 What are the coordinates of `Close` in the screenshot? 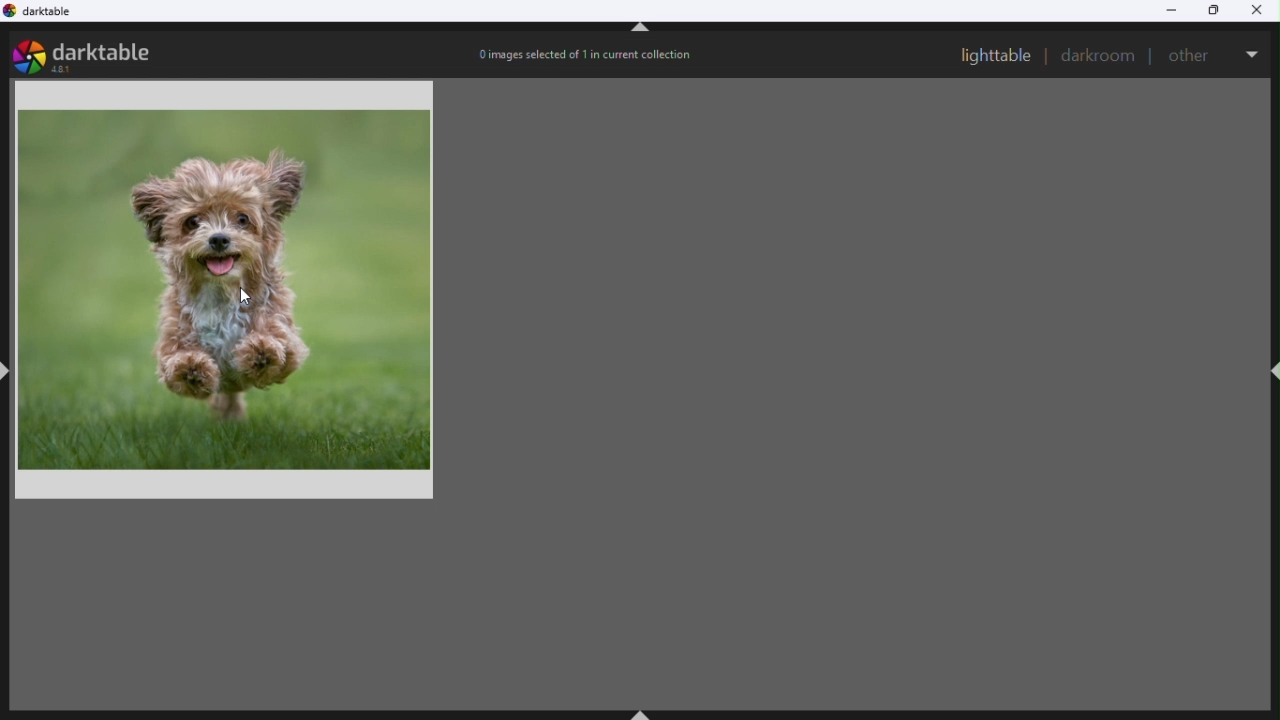 It's located at (1262, 10).